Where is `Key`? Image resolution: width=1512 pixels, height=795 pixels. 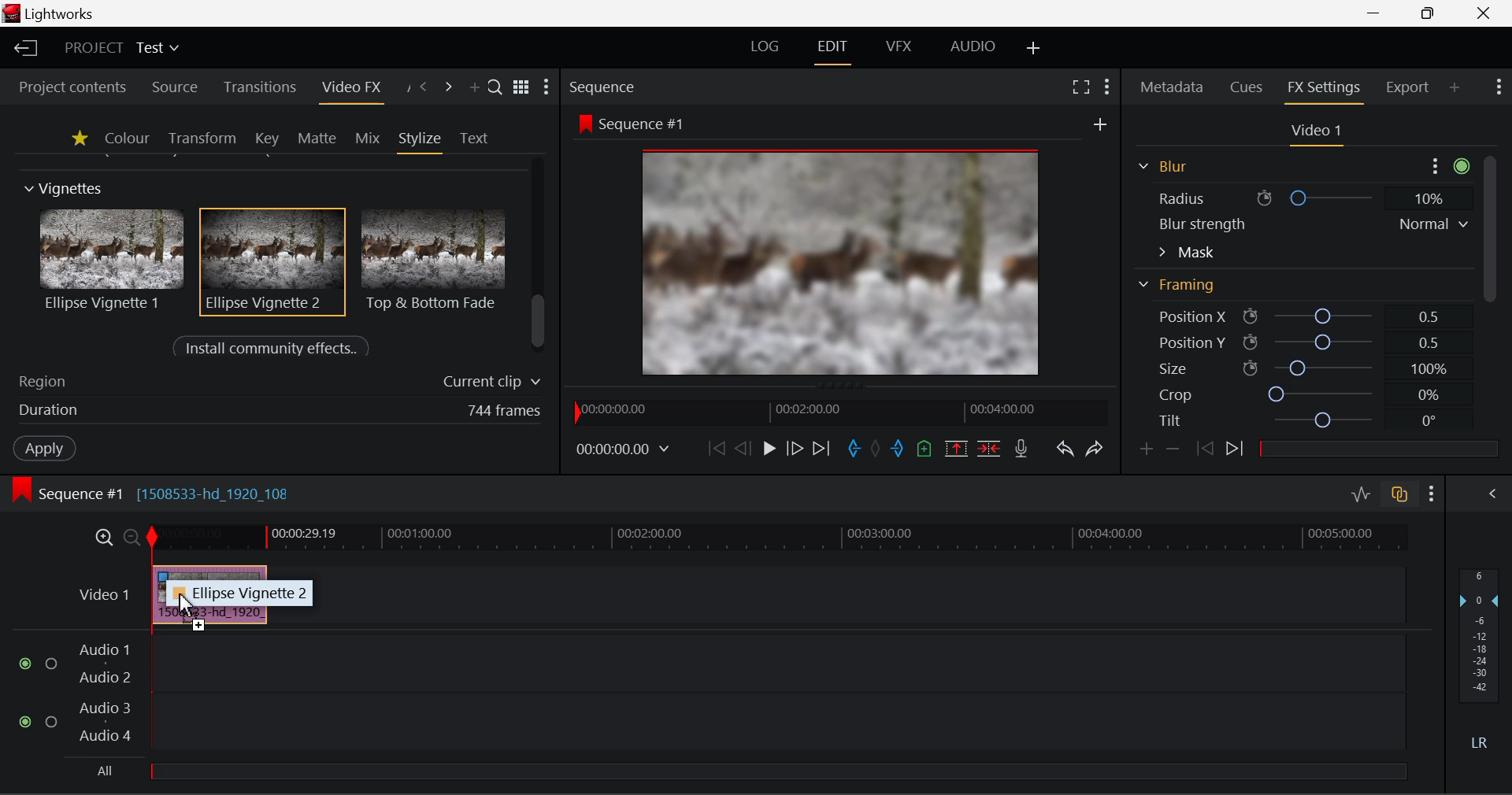
Key is located at coordinates (266, 139).